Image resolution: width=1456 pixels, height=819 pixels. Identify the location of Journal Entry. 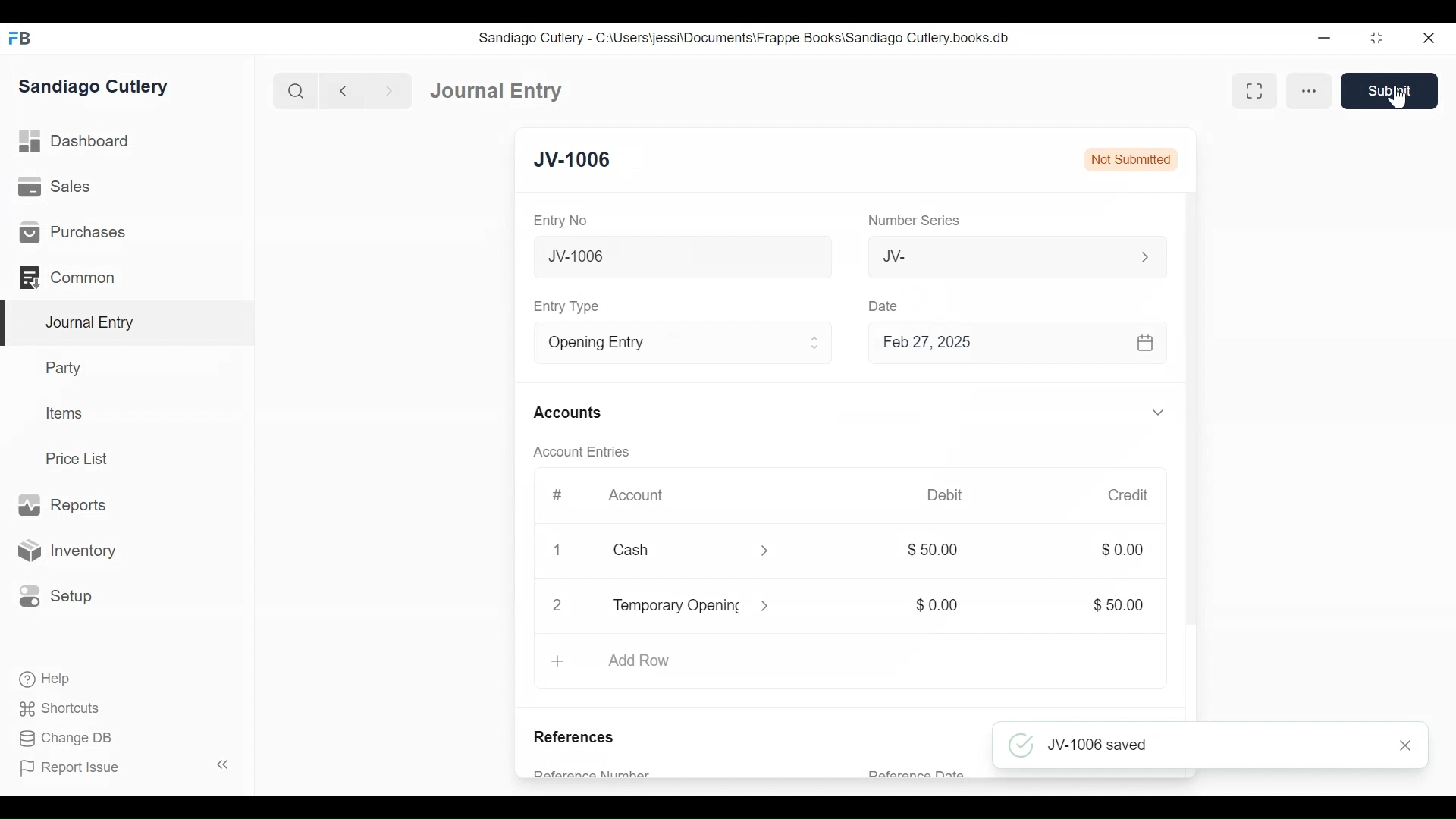
(498, 91).